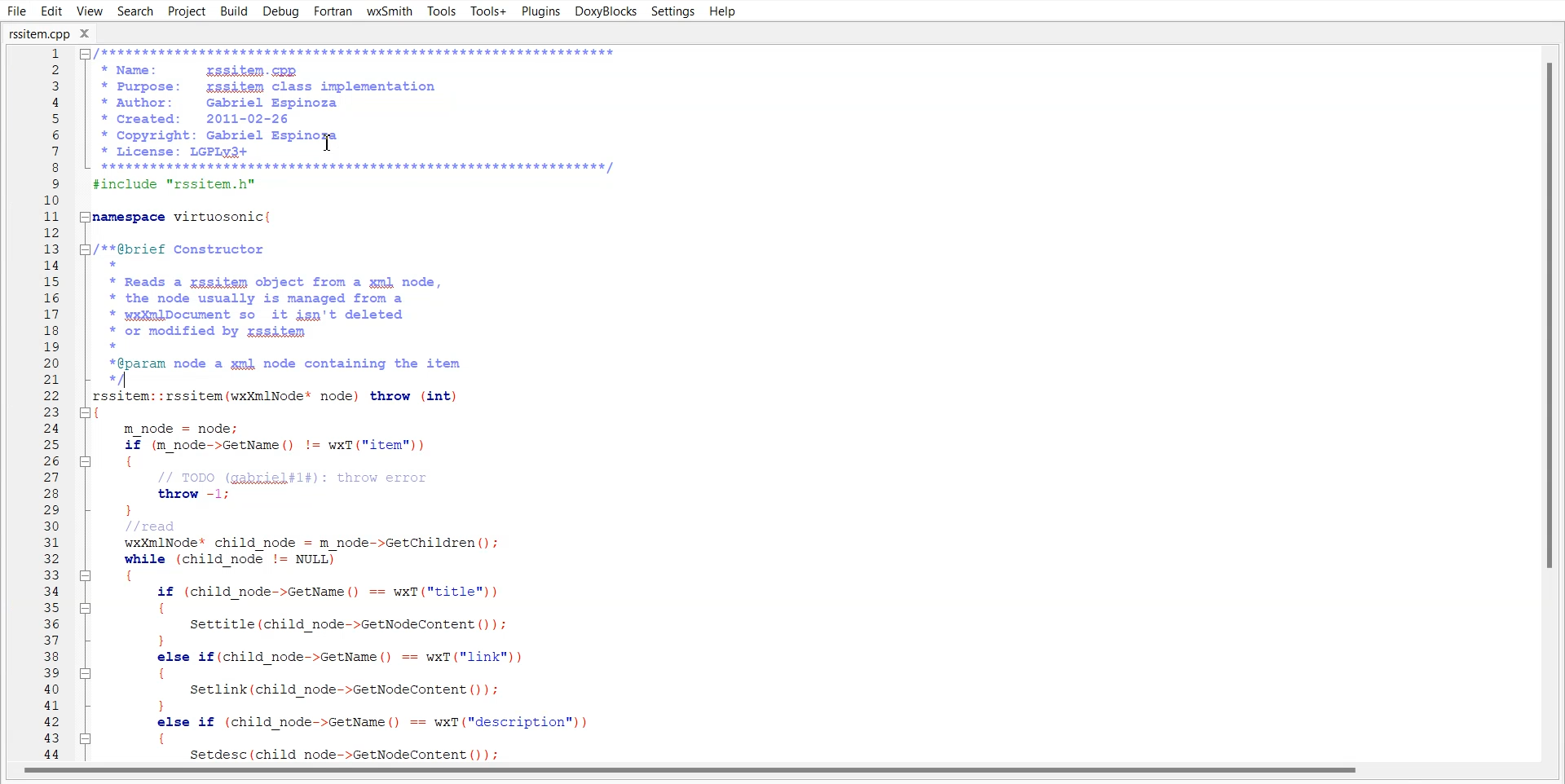 This screenshot has height=784, width=1565. Describe the element at coordinates (87, 576) in the screenshot. I see `Collapse` at that location.